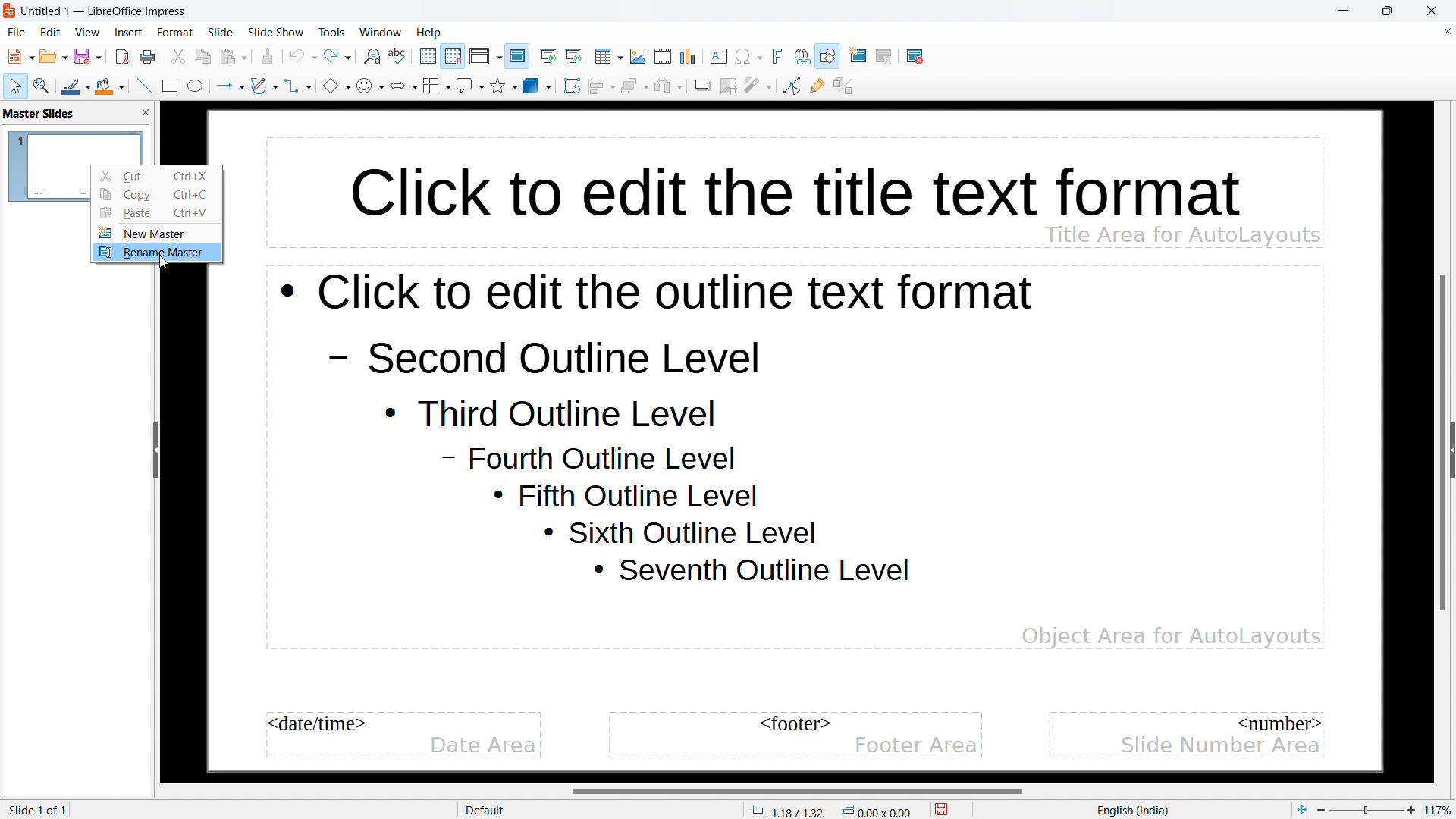 This screenshot has height=819, width=1456. I want to click on paste, so click(233, 57).